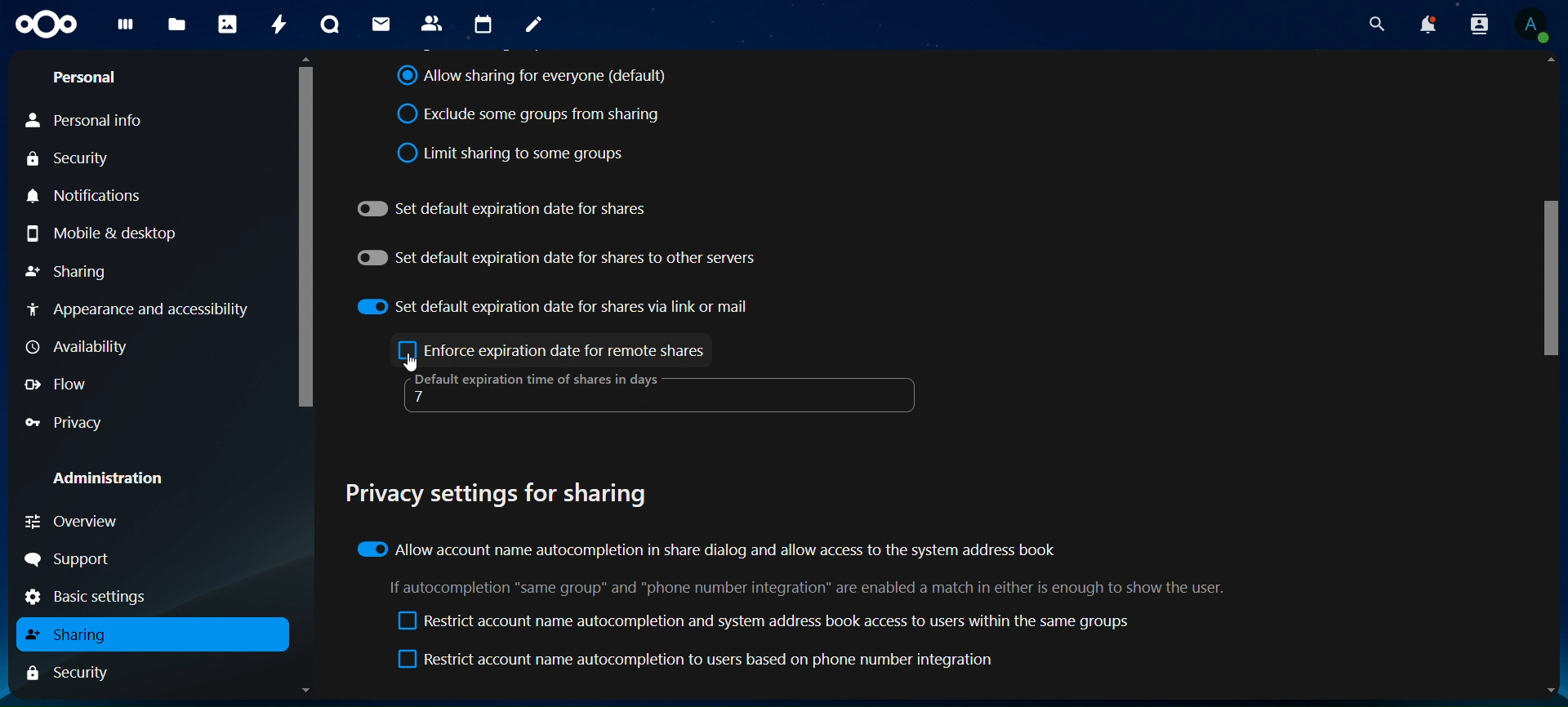  What do you see at coordinates (555, 304) in the screenshot?
I see `set default expiration date for shares via link or mail` at bounding box center [555, 304].